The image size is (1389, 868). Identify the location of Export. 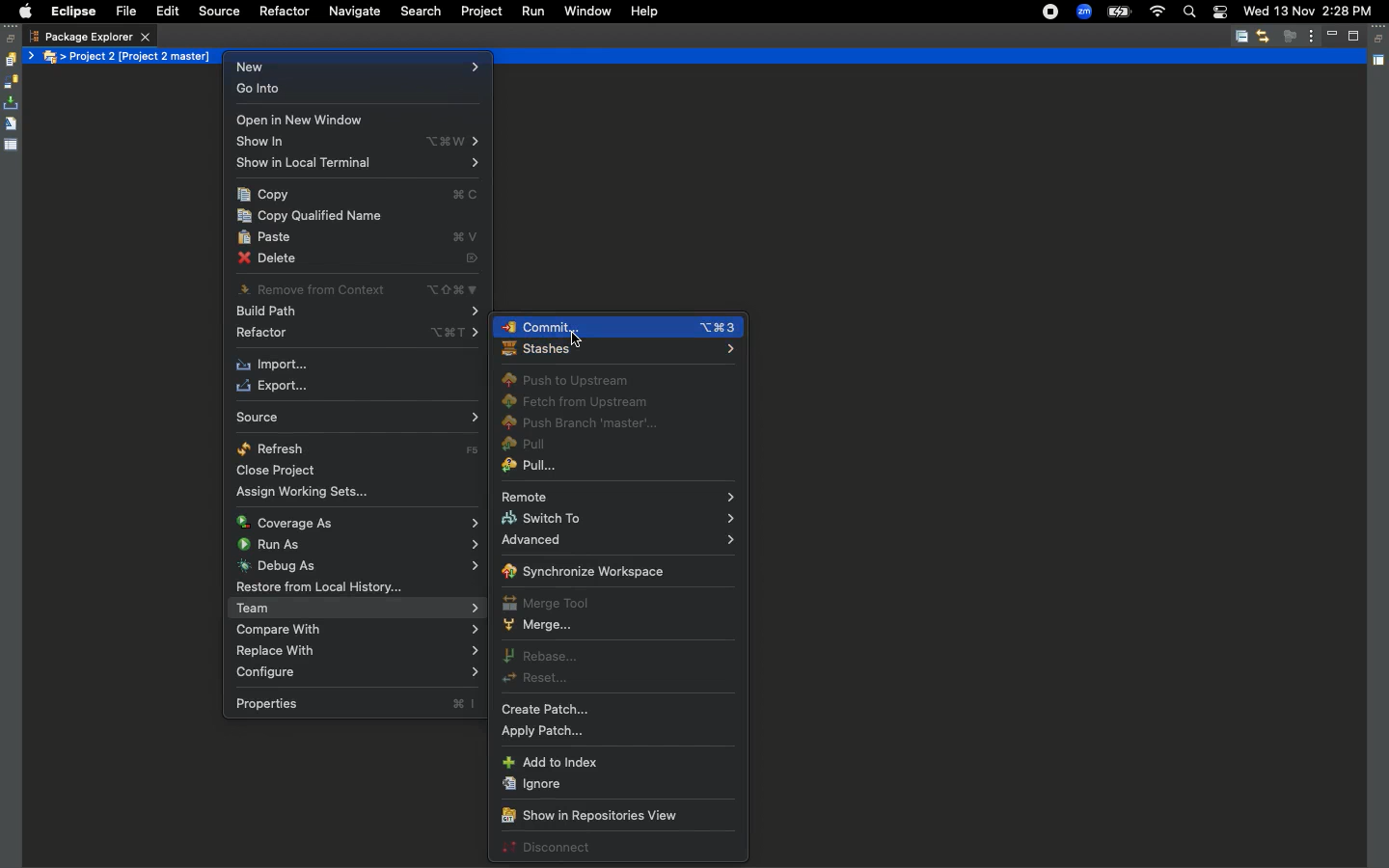
(278, 386).